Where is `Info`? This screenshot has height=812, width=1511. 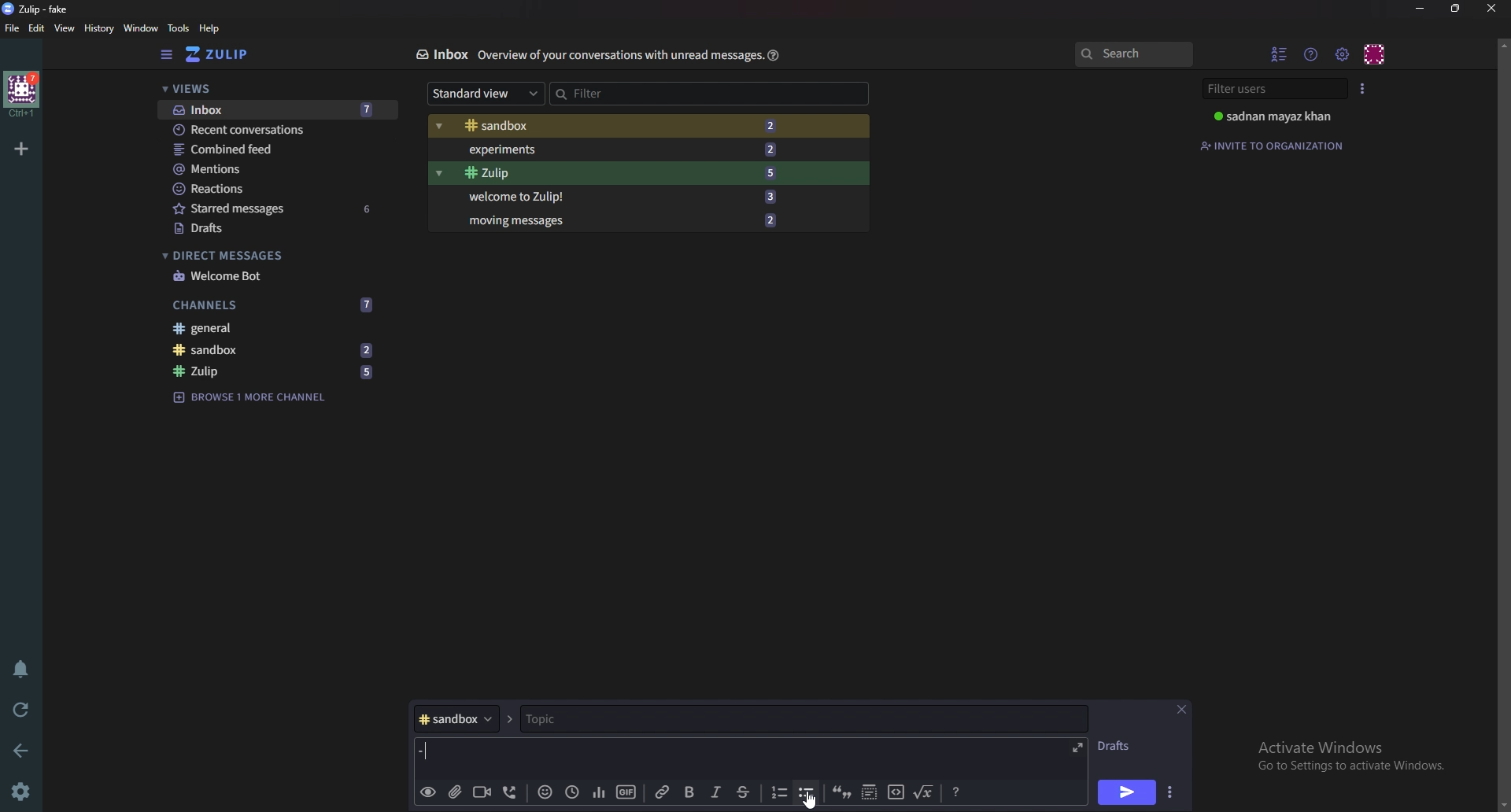
Info is located at coordinates (620, 54).